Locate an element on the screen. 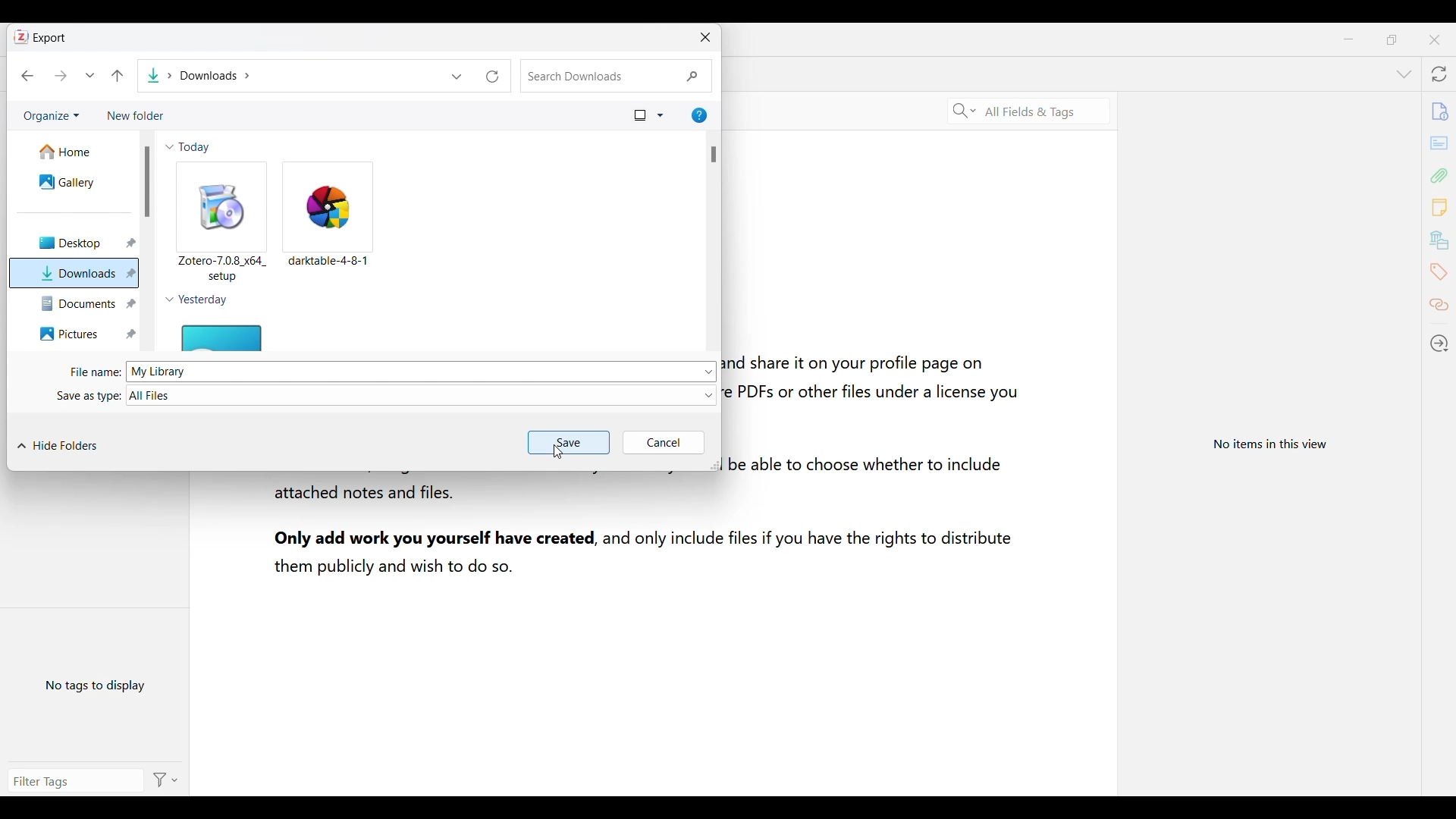 Image resolution: width=1456 pixels, height=819 pixels. Info is located at coordinates (1440, 110).